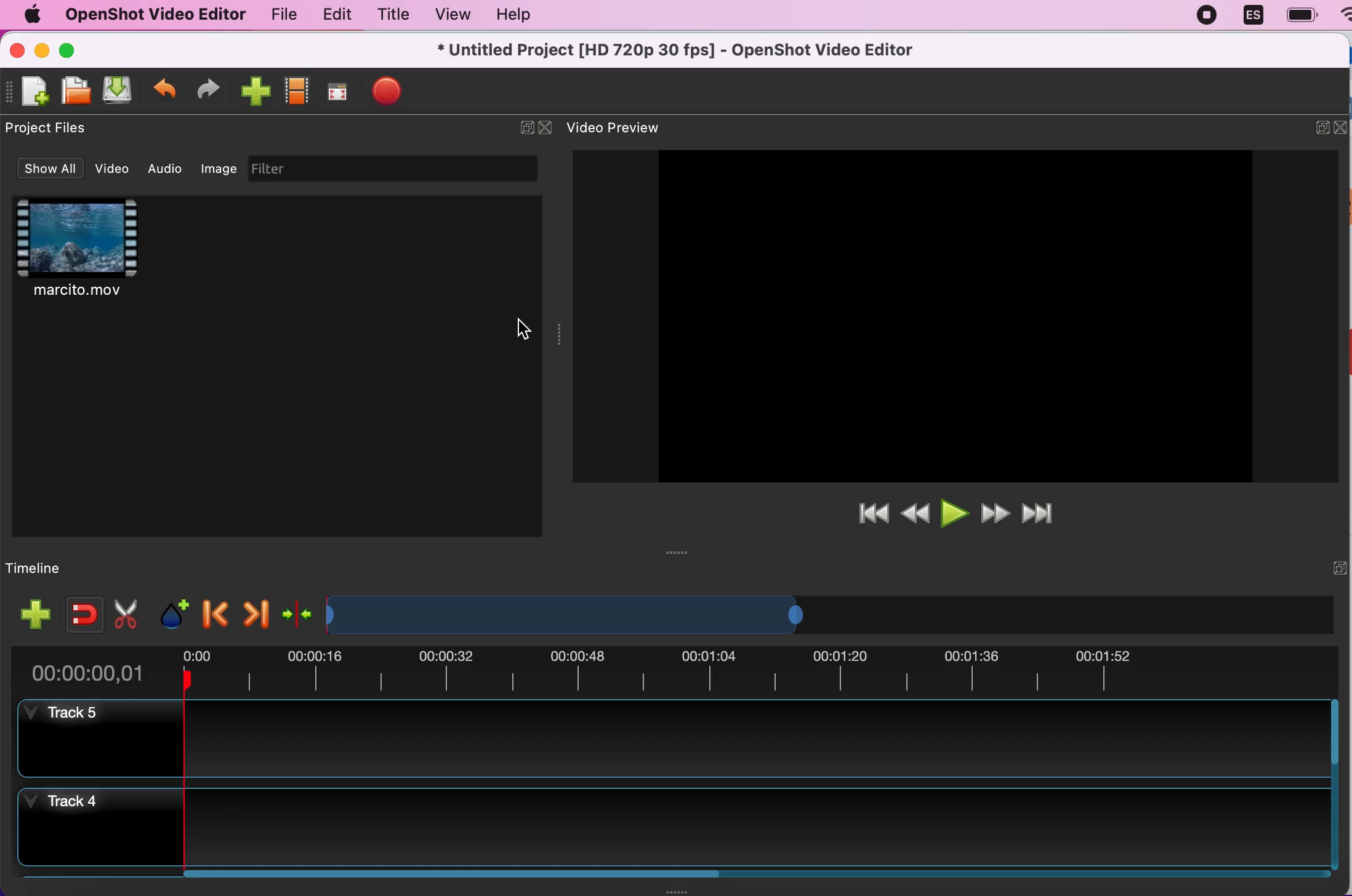 The height and width of the screenshot is (896, 1352). What do you see at coordinates (48, 169) in the screenshot?
I see `show all` at bounding box center [48, 169].